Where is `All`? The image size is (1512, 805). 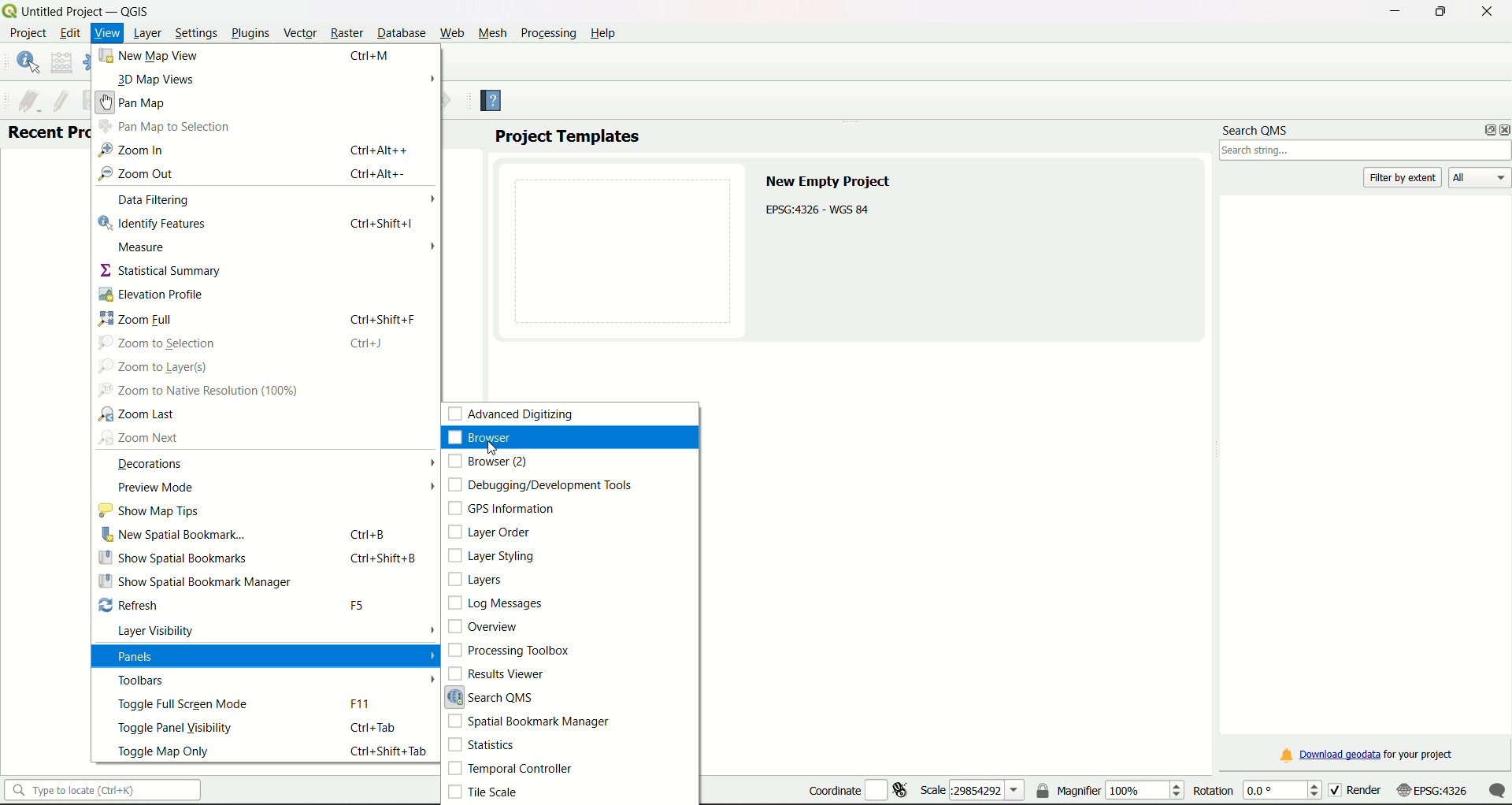
All is located at coordinates (1480, 177).